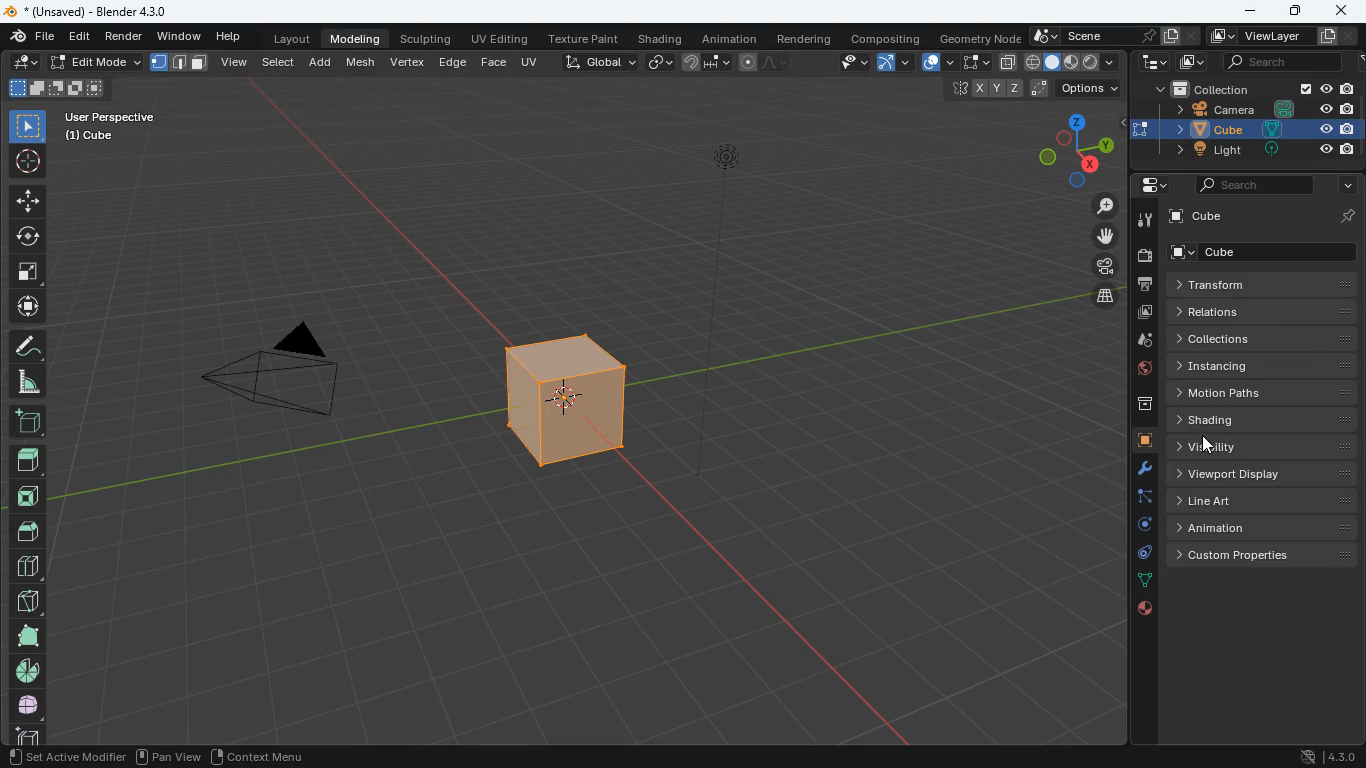  What do you see at coordinates (844, 63) in the screenshot?
I see `view` at bounding box center [844, 63].